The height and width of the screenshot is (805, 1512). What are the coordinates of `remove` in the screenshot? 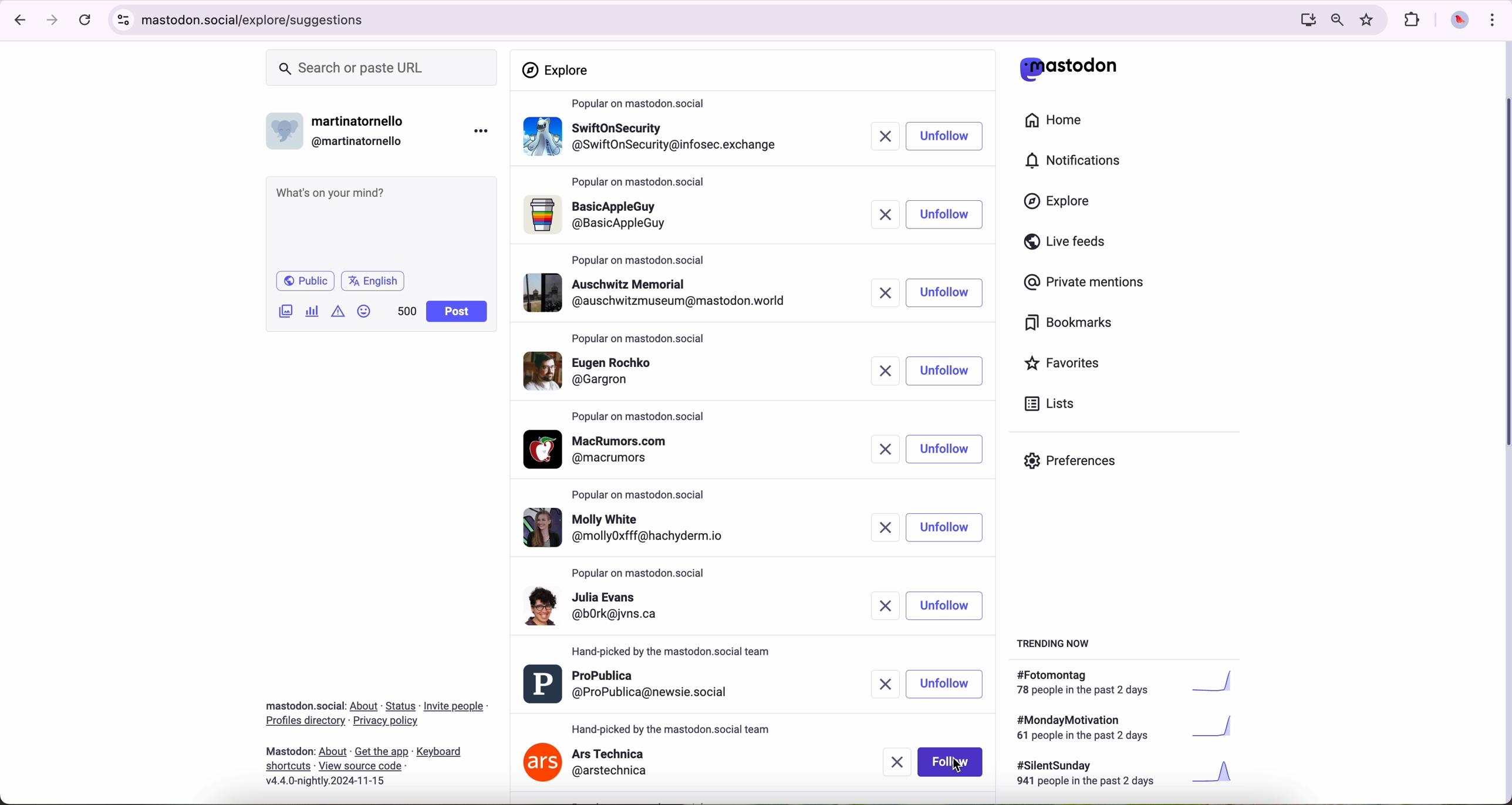 It's located at (880, 213).